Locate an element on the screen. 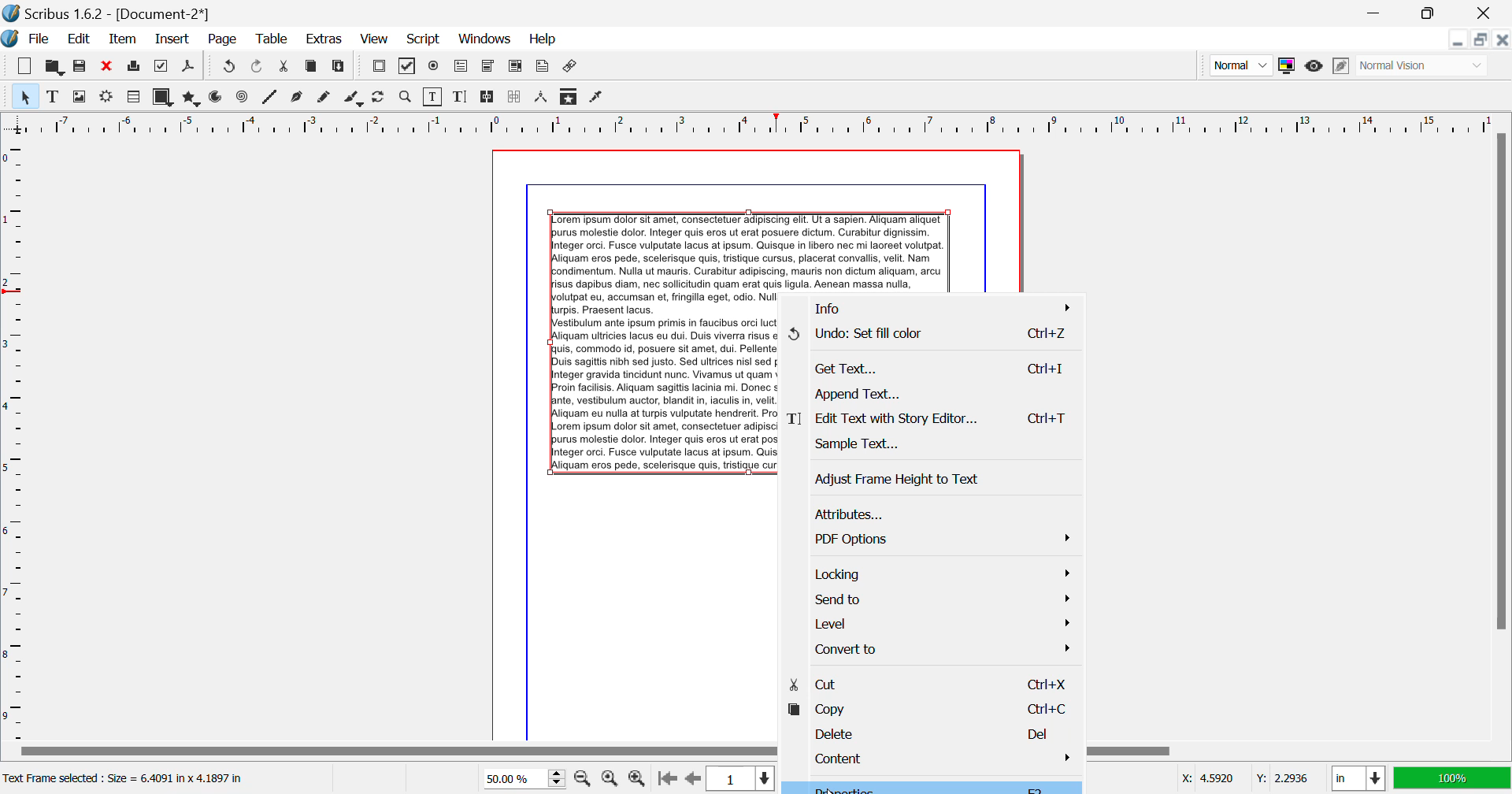 The image size is (1512, 794). Line is located at coordinates (270, 98).